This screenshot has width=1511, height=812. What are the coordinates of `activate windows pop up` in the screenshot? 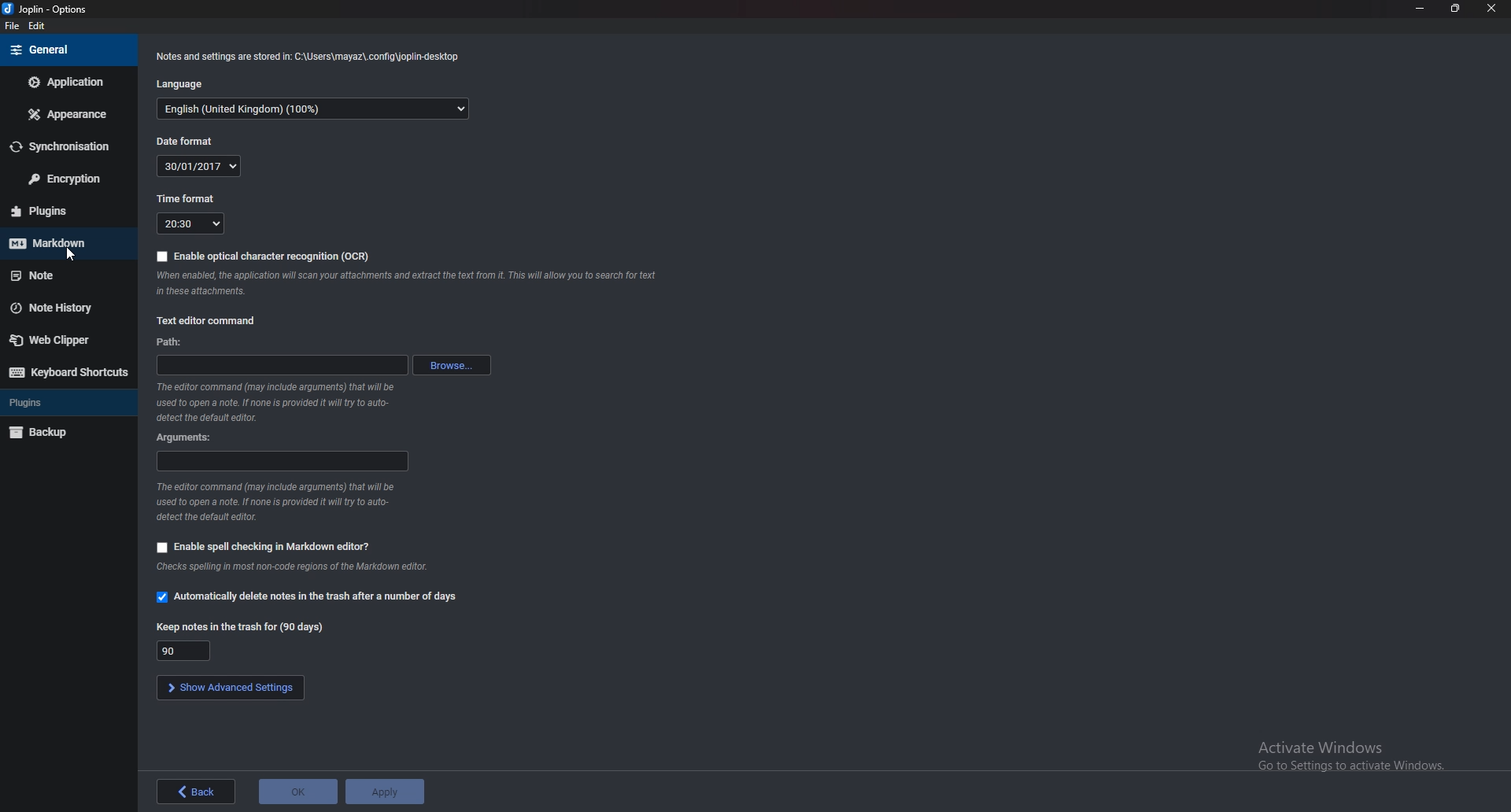 It's located at (1353, 759).